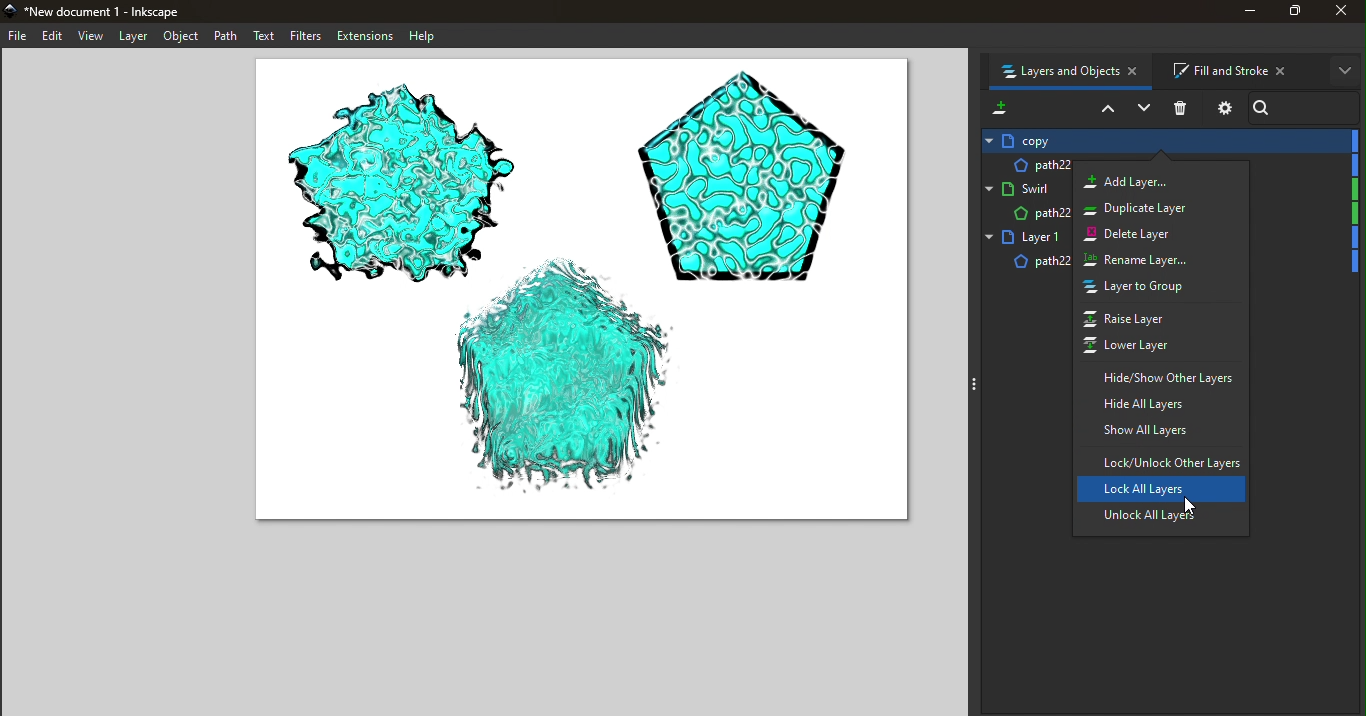  Describe the element at coordinates (1150, 290) in the screenshot. I see `Layer to group` at that location.